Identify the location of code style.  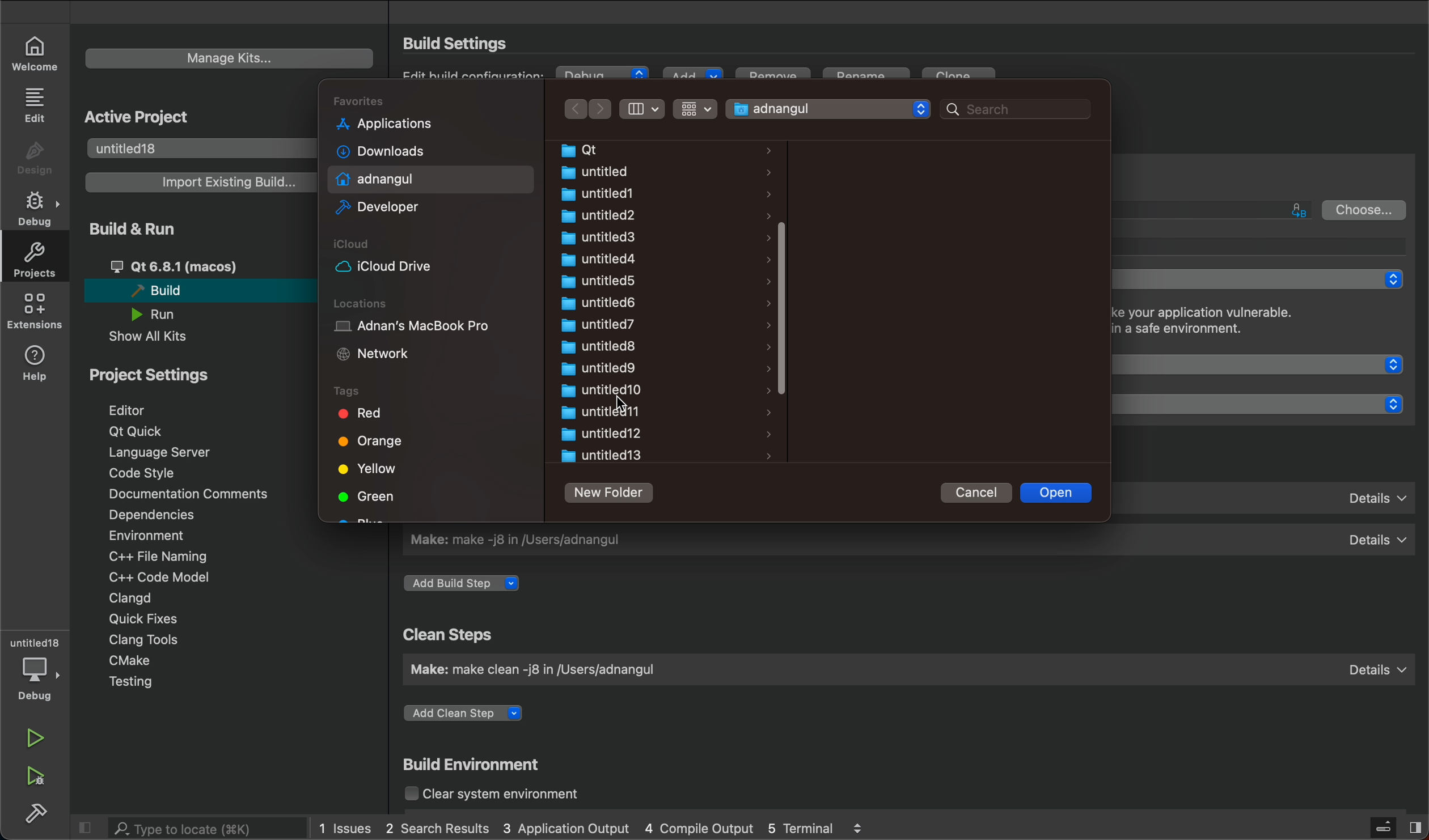
(142, 474).